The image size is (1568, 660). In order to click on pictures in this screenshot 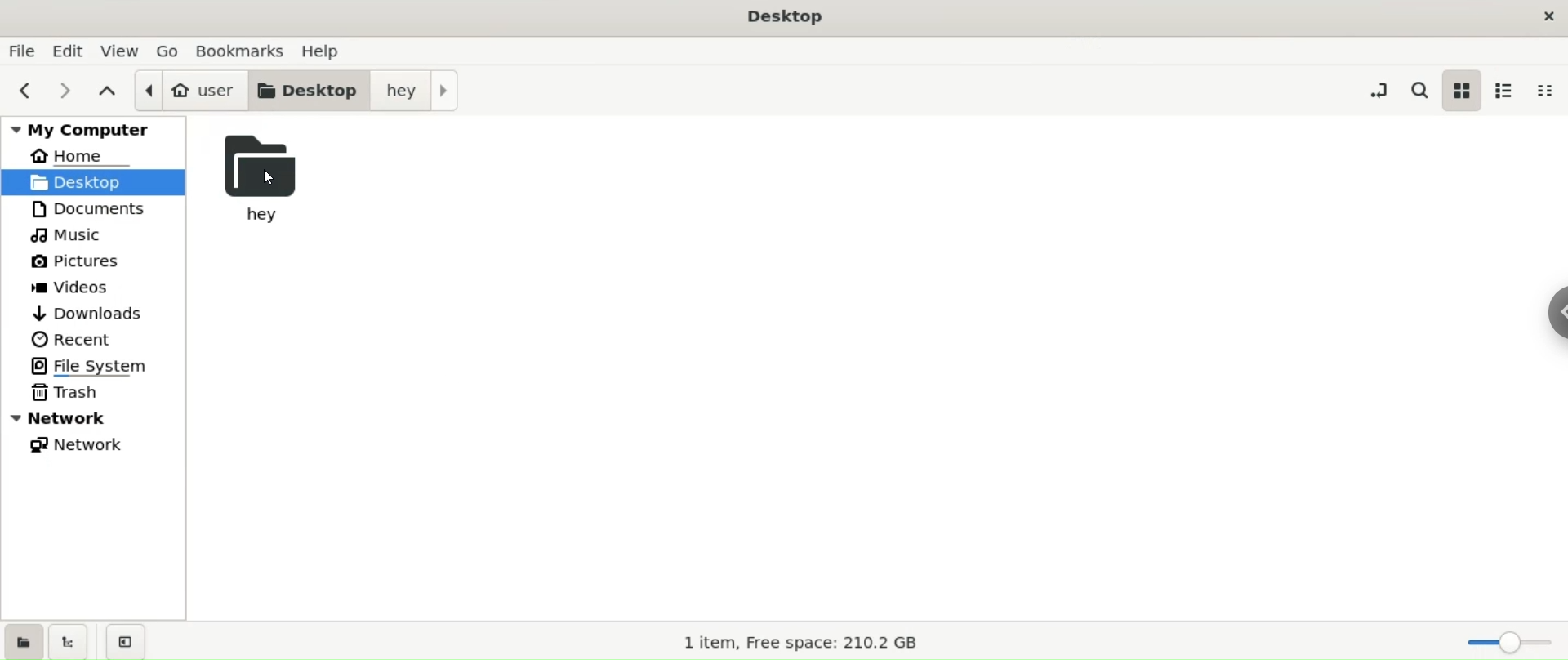, I will do `click(100, 263)`.